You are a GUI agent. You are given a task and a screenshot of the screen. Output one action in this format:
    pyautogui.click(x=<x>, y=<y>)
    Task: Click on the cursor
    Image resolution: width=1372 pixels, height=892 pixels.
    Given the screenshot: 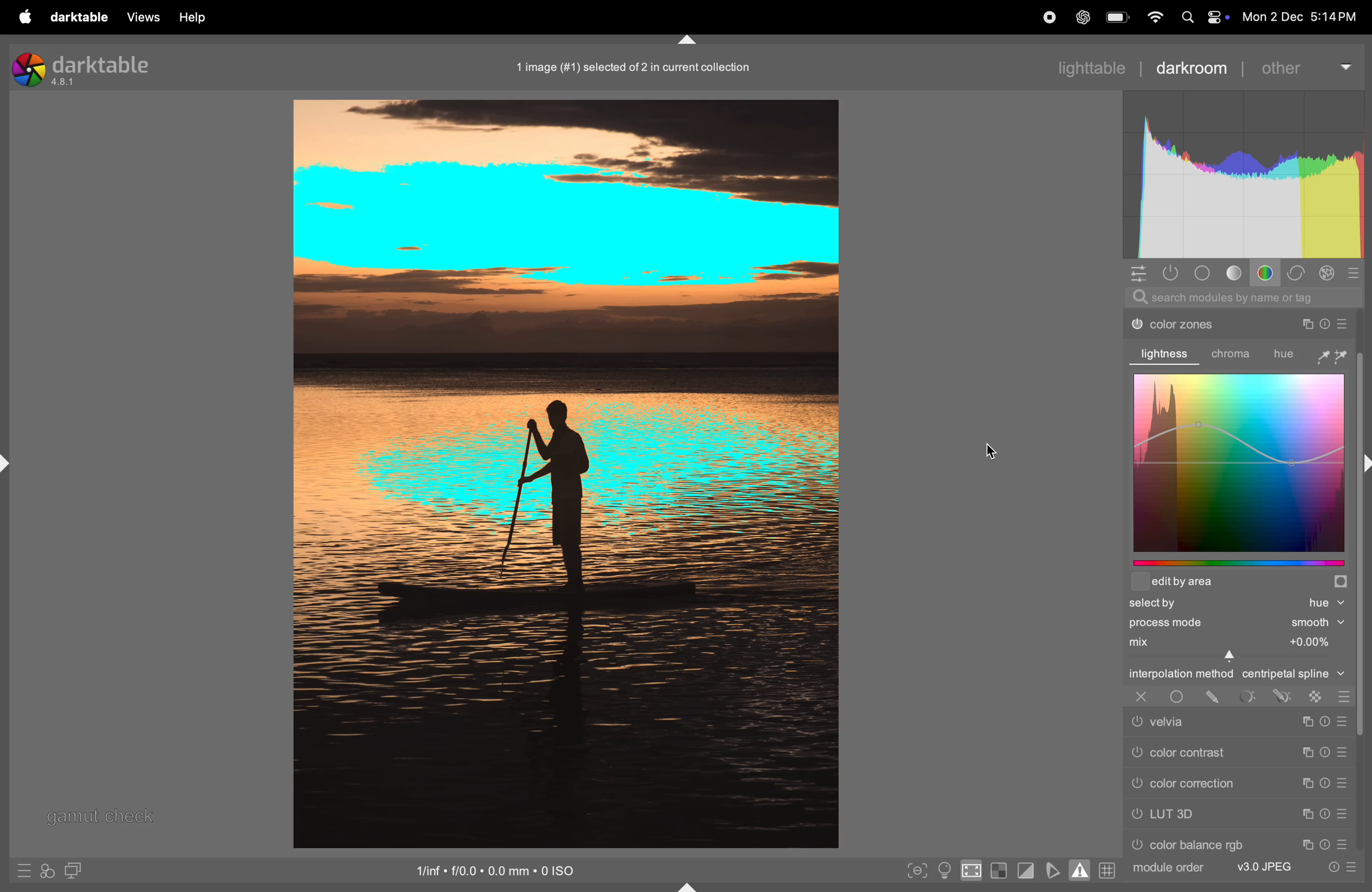 What is the action you would take?
    pyautogui.click(x=988, y=450)
    